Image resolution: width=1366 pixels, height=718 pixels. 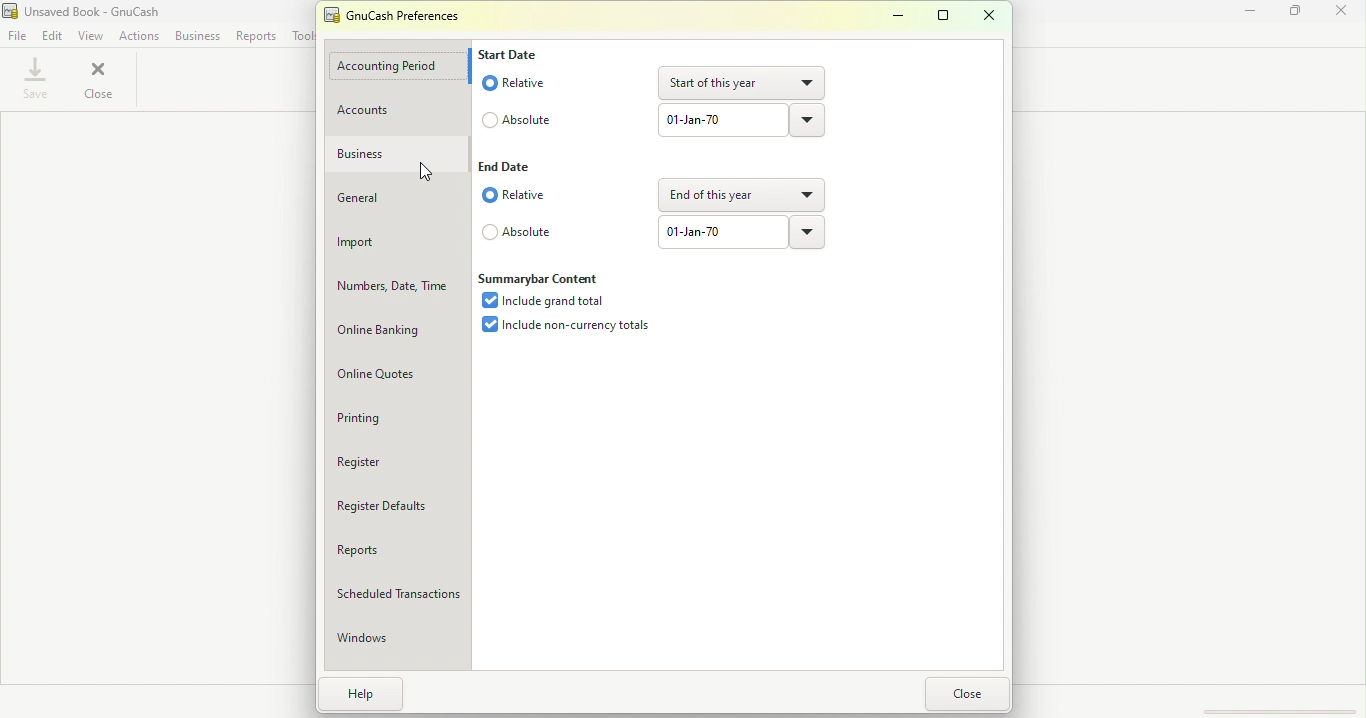 What do you see at coordinates (199, 36) in the screenshot?
I see `Business` at bounding box center [199, 36].